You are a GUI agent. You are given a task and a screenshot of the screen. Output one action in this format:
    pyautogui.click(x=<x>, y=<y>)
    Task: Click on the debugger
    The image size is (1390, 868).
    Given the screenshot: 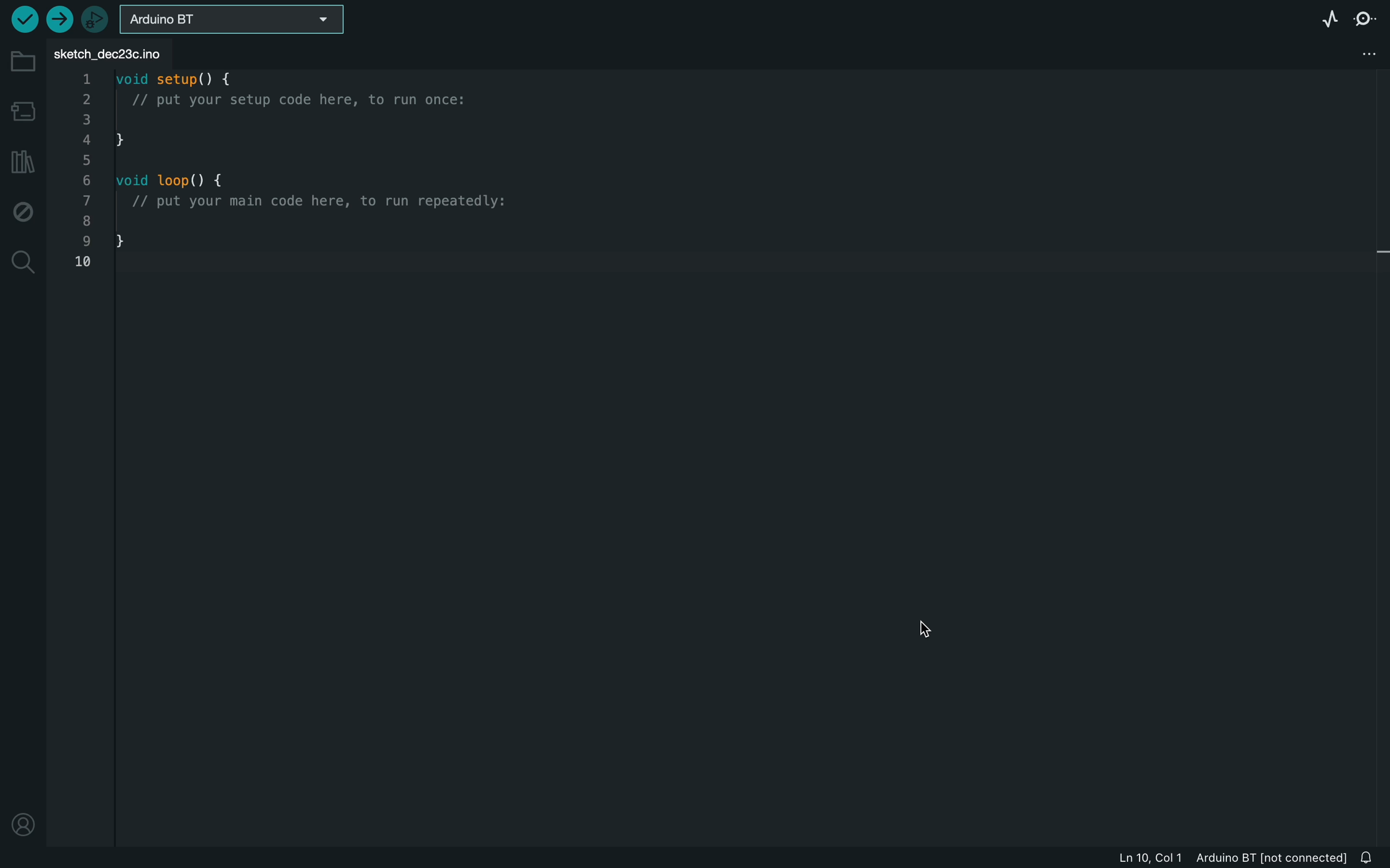 What is the action you would take?
    pyautogui.click(x=95, y=19)
    